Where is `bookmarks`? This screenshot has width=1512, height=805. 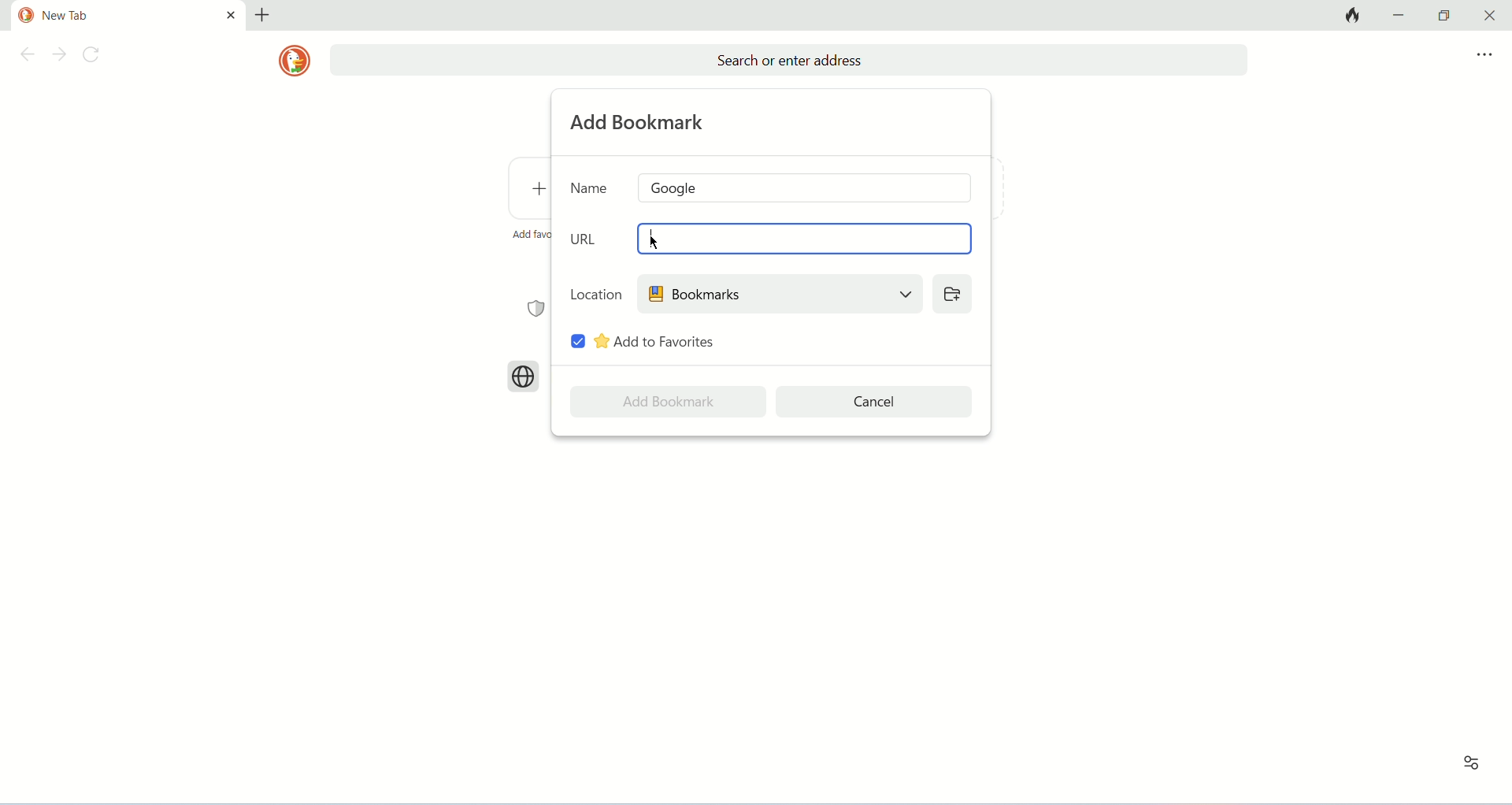 bookmarks is located at coordinates (779, 293).